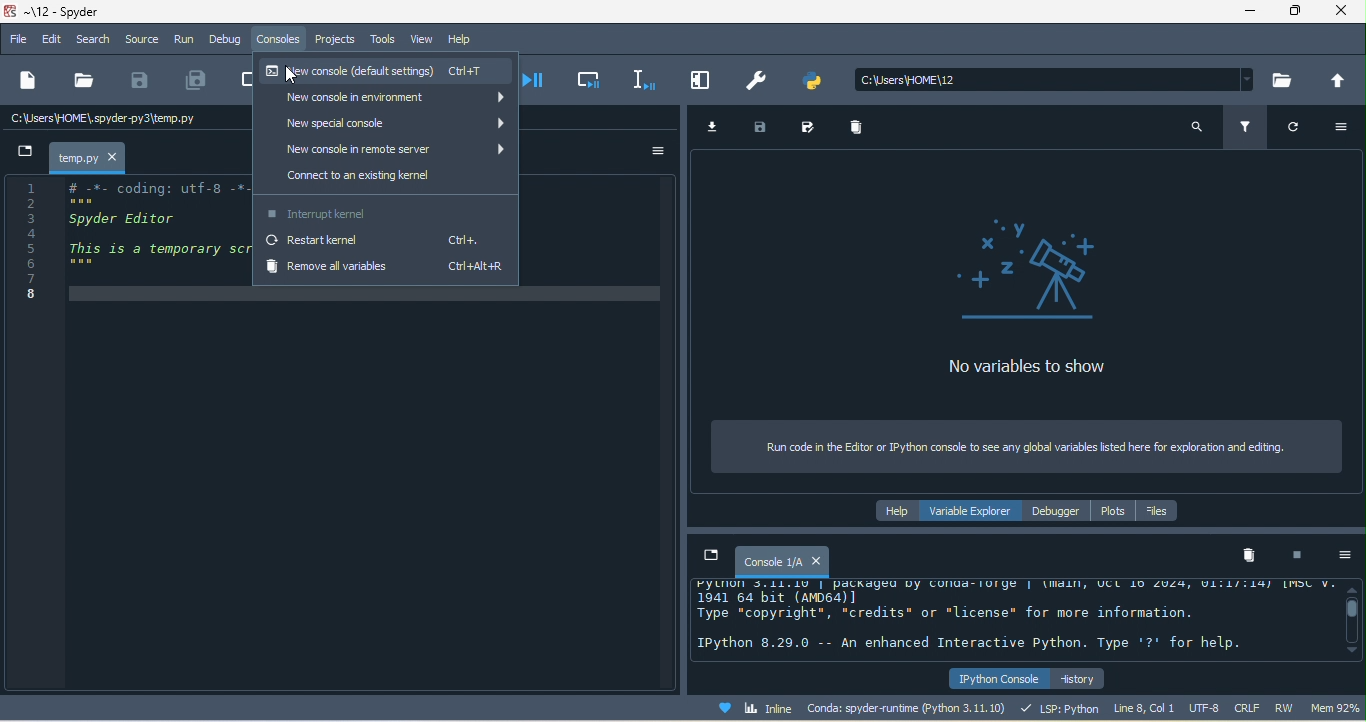 The height and width of the screenshot is (722, 1366). I want to click on debug selection, so click(645, 81).